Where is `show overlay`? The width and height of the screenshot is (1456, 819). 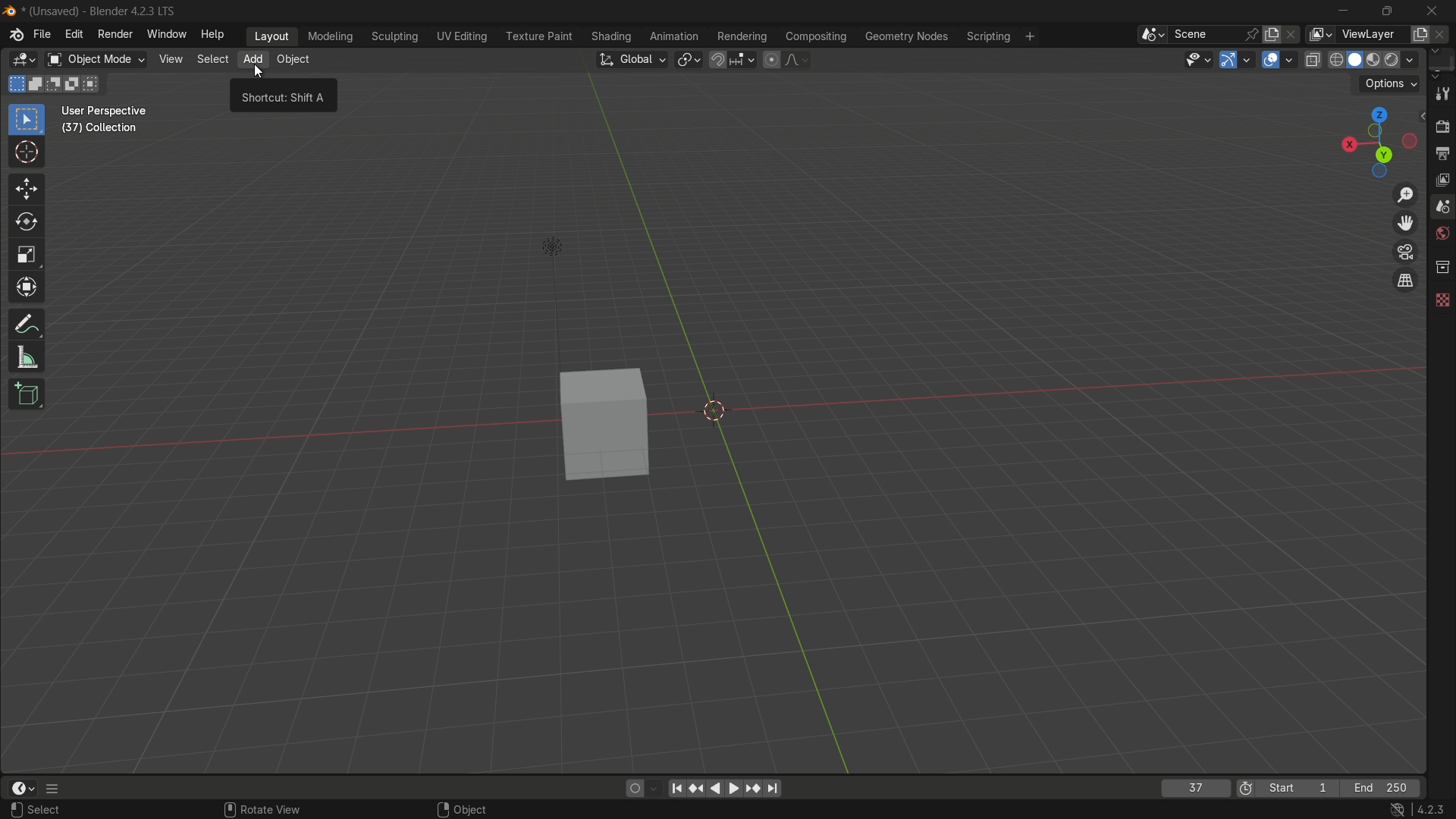
show overlay is located at coordinates (1271, 60).